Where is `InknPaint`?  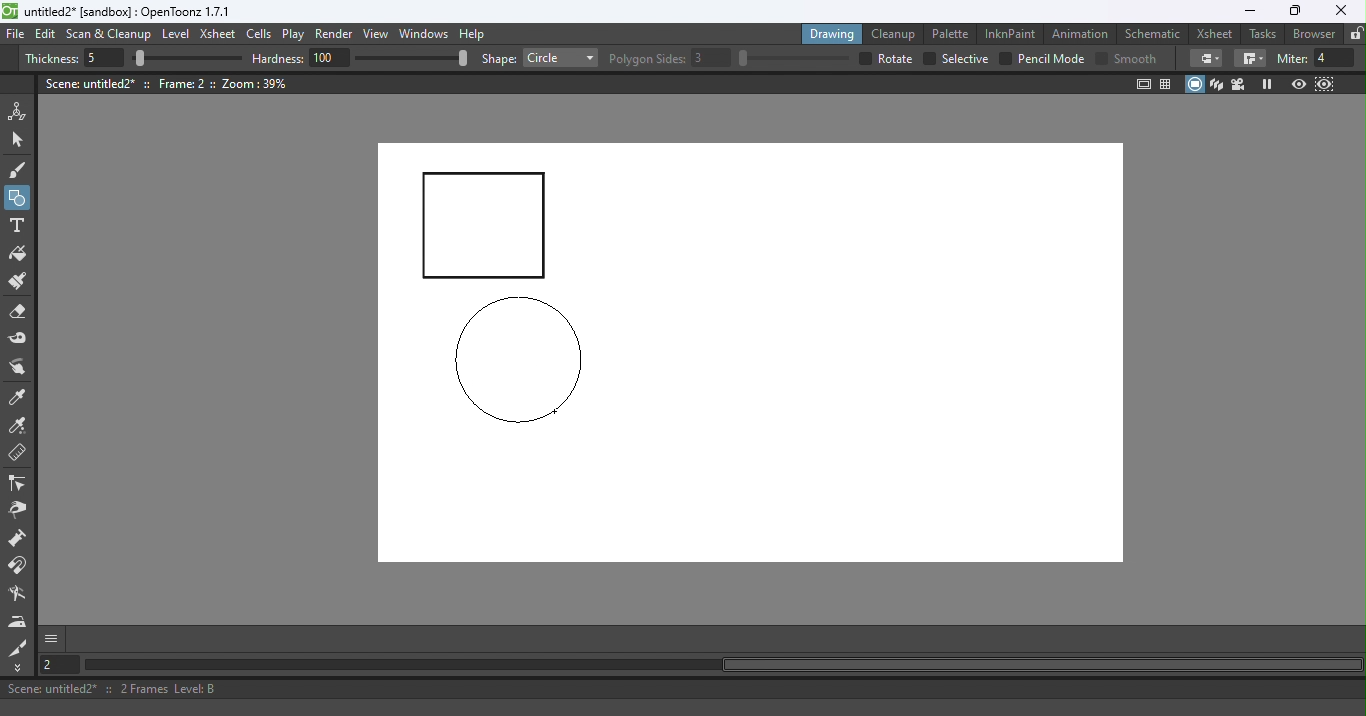
InknPaint is located at coordinates (1011, 32).